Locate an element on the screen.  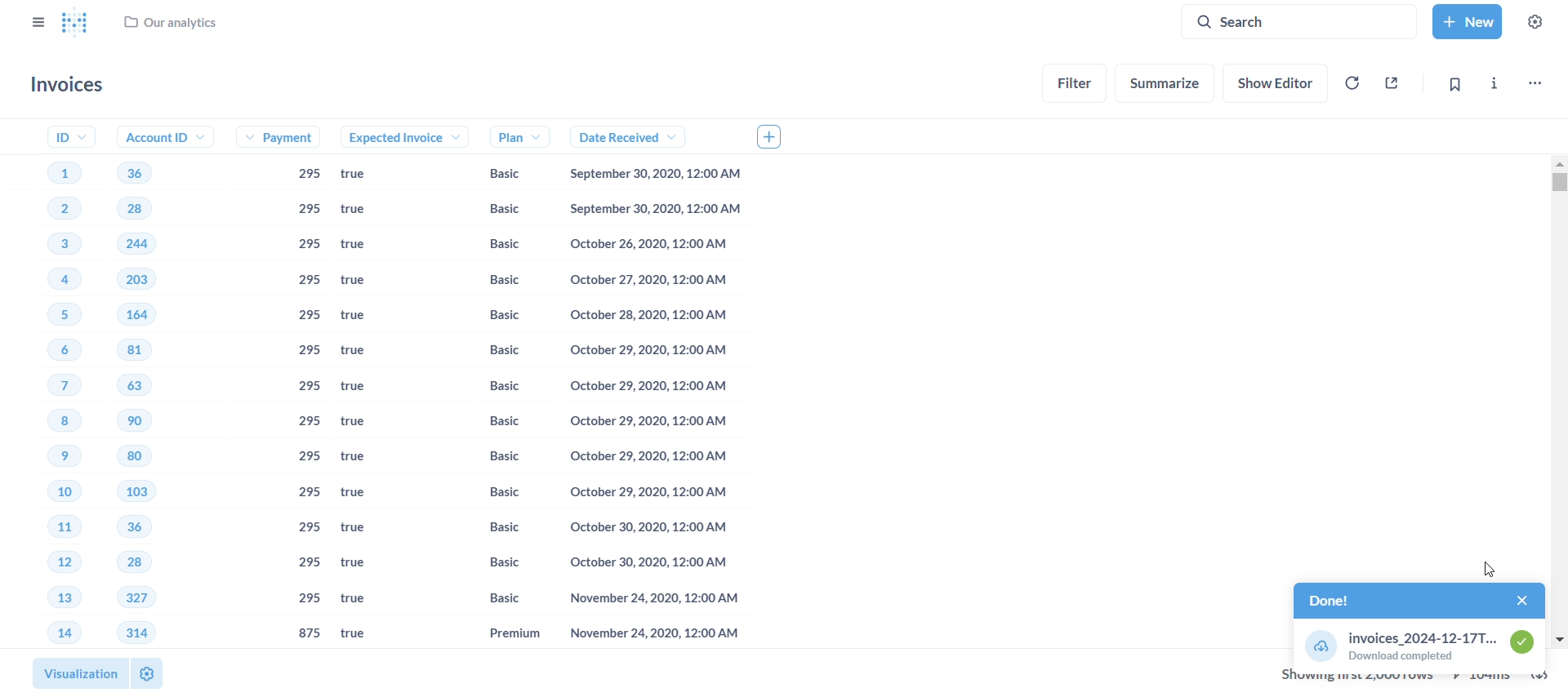
28 is located at coordinates (126, 563).